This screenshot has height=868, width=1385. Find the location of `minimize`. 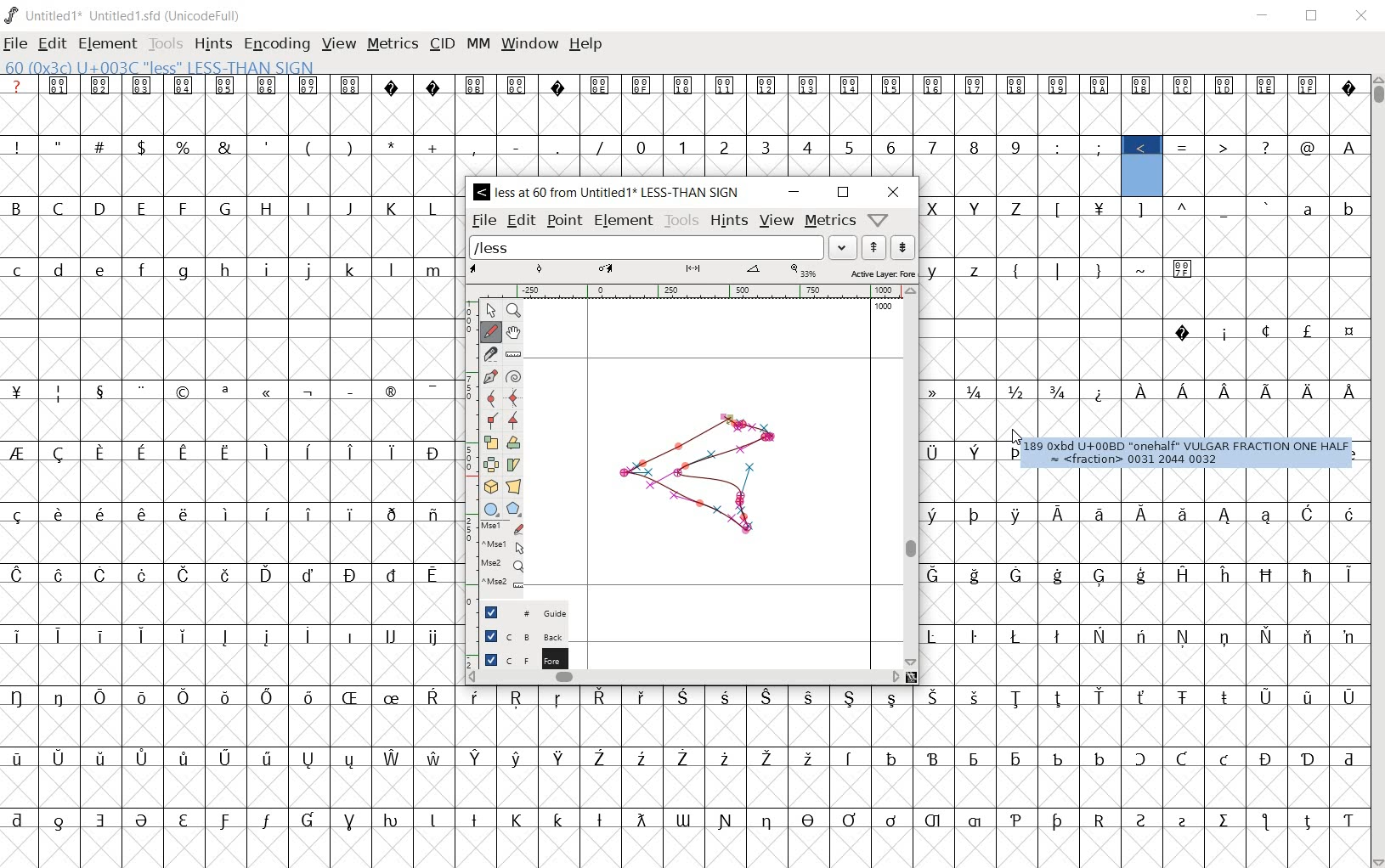

minimize is located at coordinates (794, 189).